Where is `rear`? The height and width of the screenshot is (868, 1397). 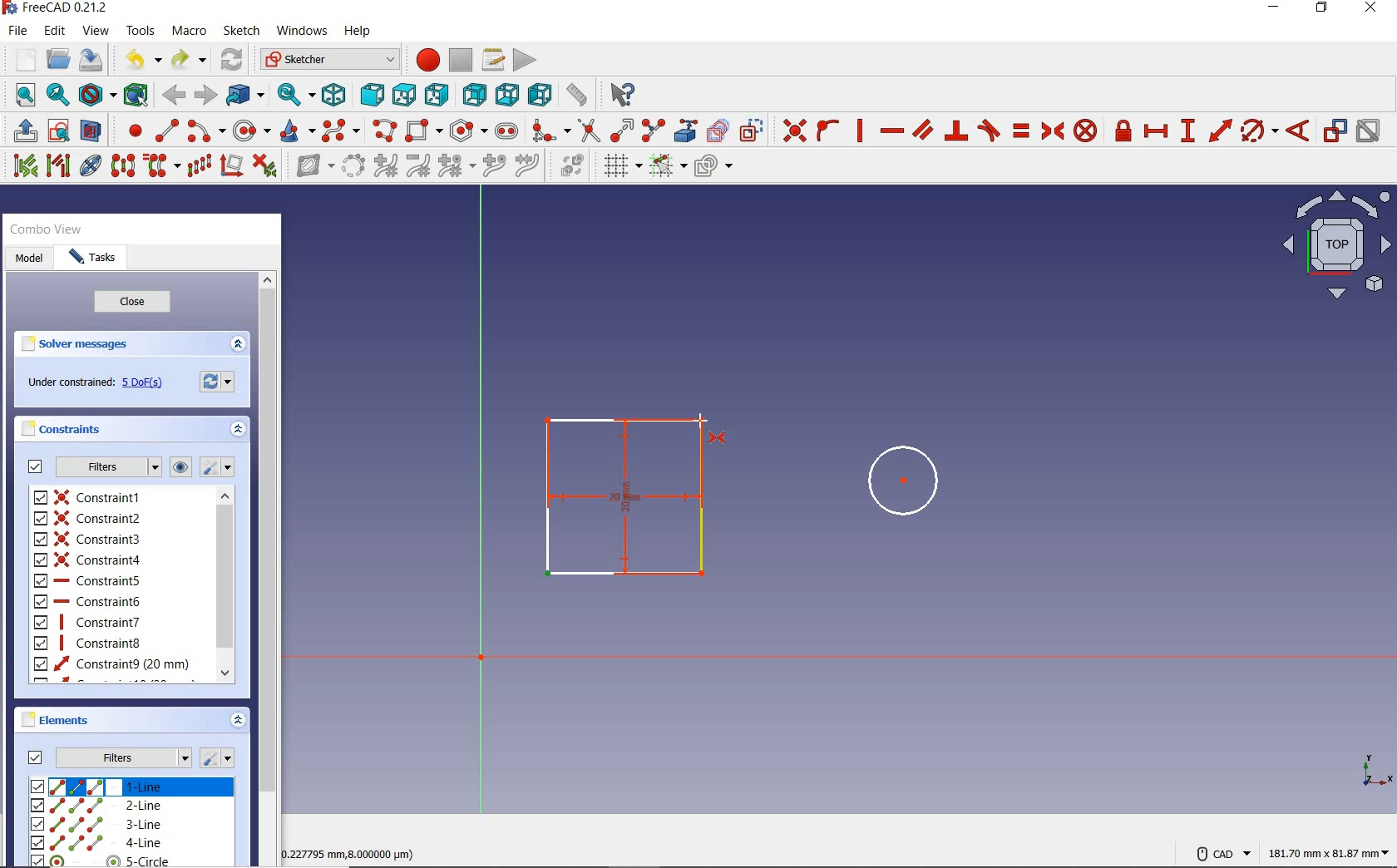
rear is located at coordinates (473, 95).